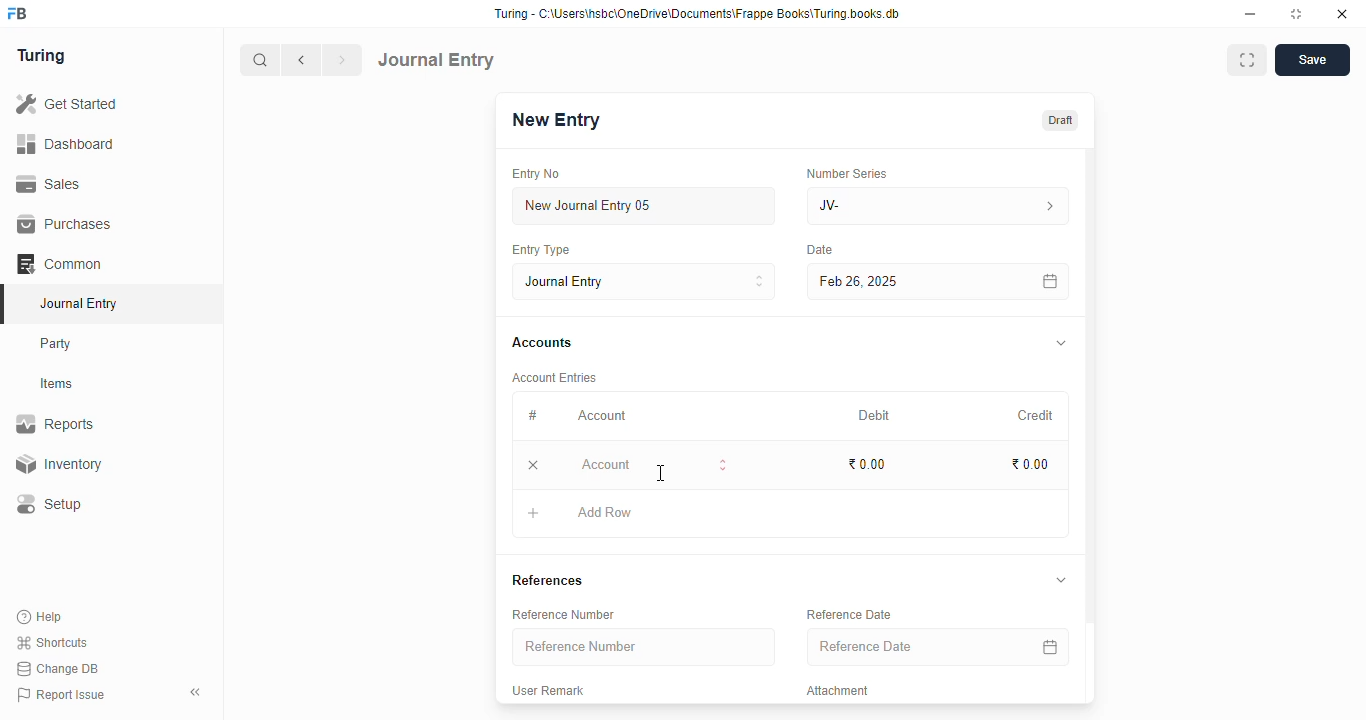 The height and width of the screenshot is (720, 1366). I want to click on help, so click(41, 616).